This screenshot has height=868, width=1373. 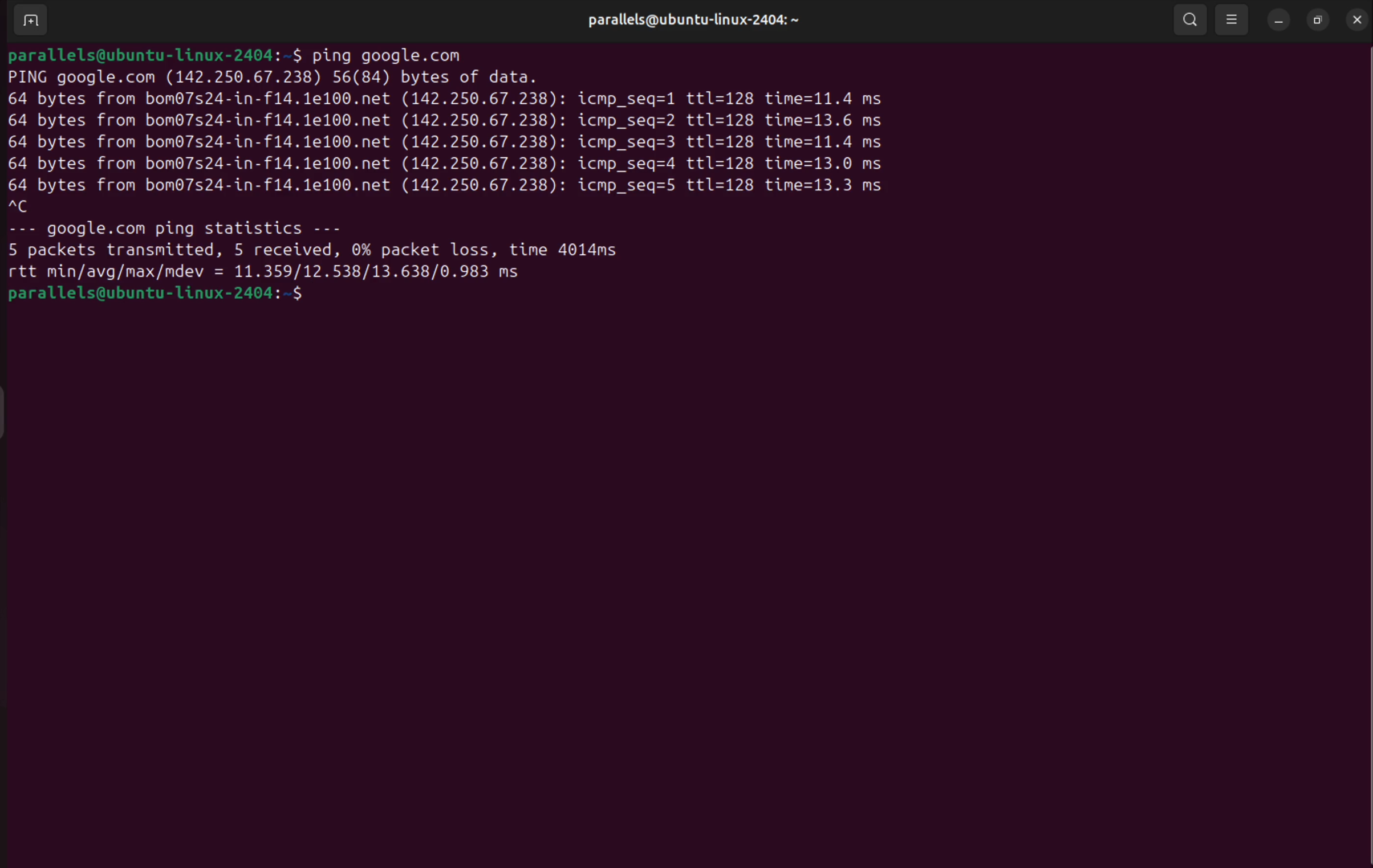 What do you see at coordinates (721, 121) in the screenshot?
I see `ttl 128` at bounding box center [721, 121].